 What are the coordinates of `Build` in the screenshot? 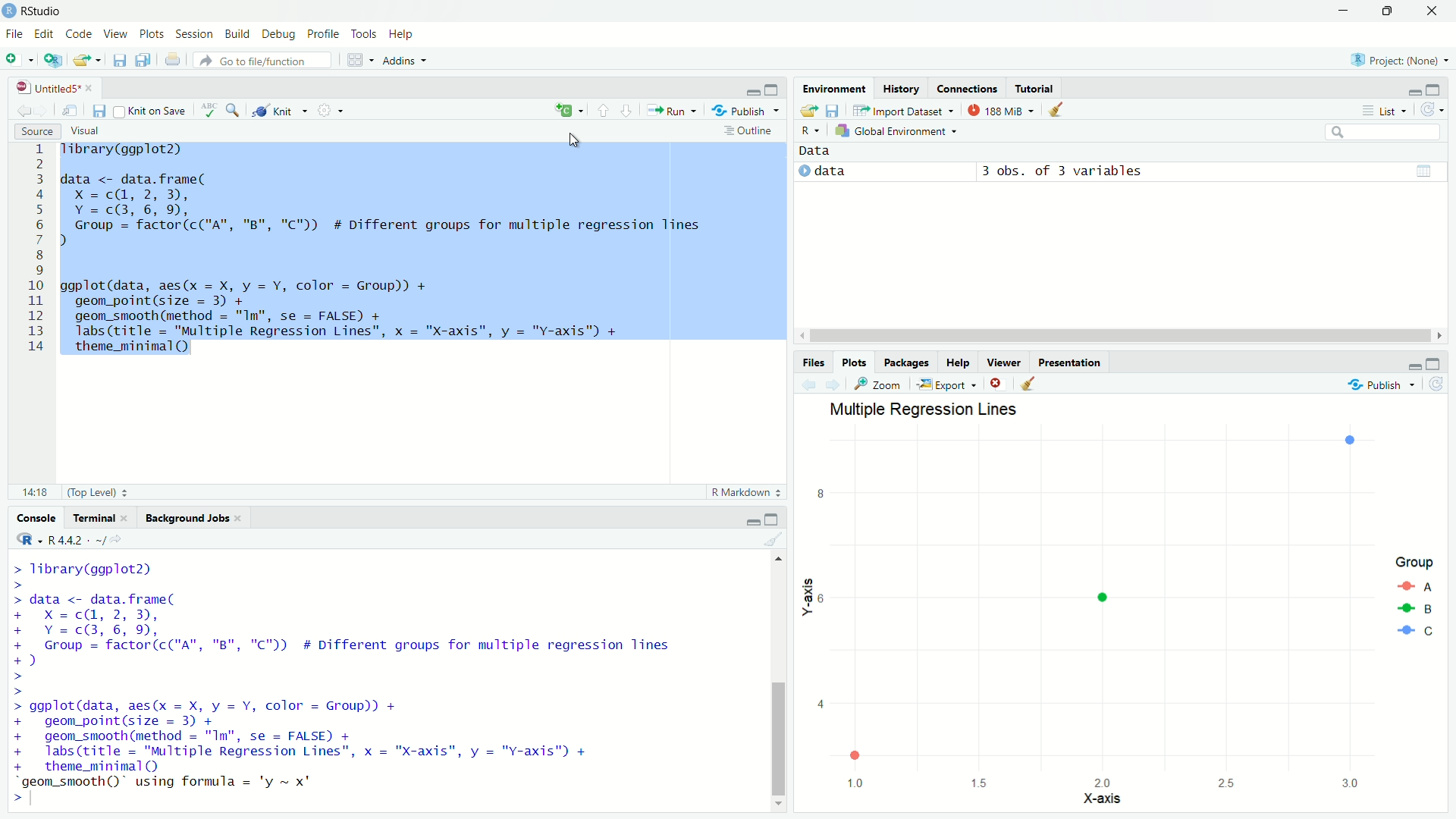 It's located at (237, 34).